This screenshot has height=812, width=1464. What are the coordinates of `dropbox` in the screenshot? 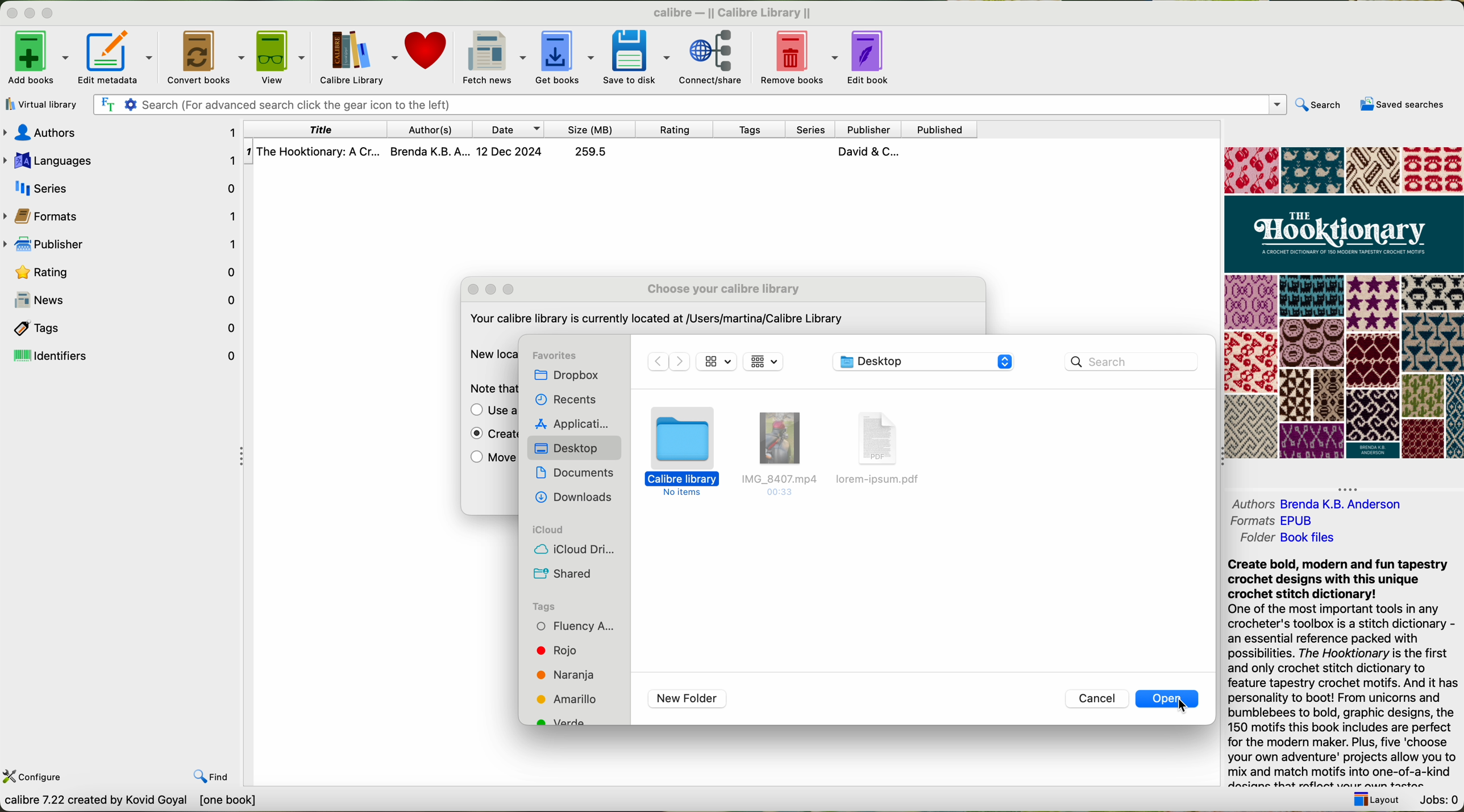 It's located at (564, 377).